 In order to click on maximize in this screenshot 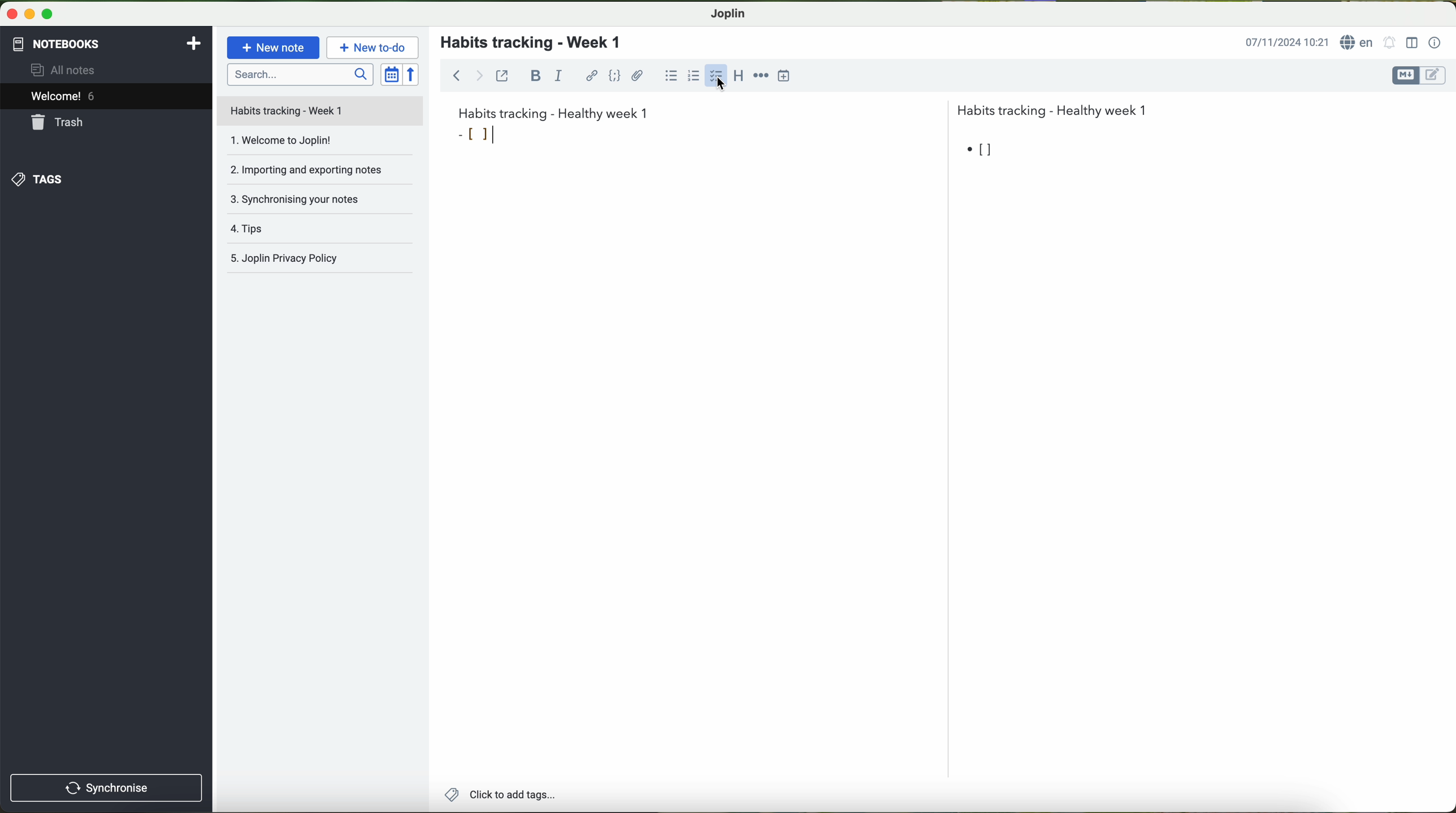, I will do `click(48, 14)`.